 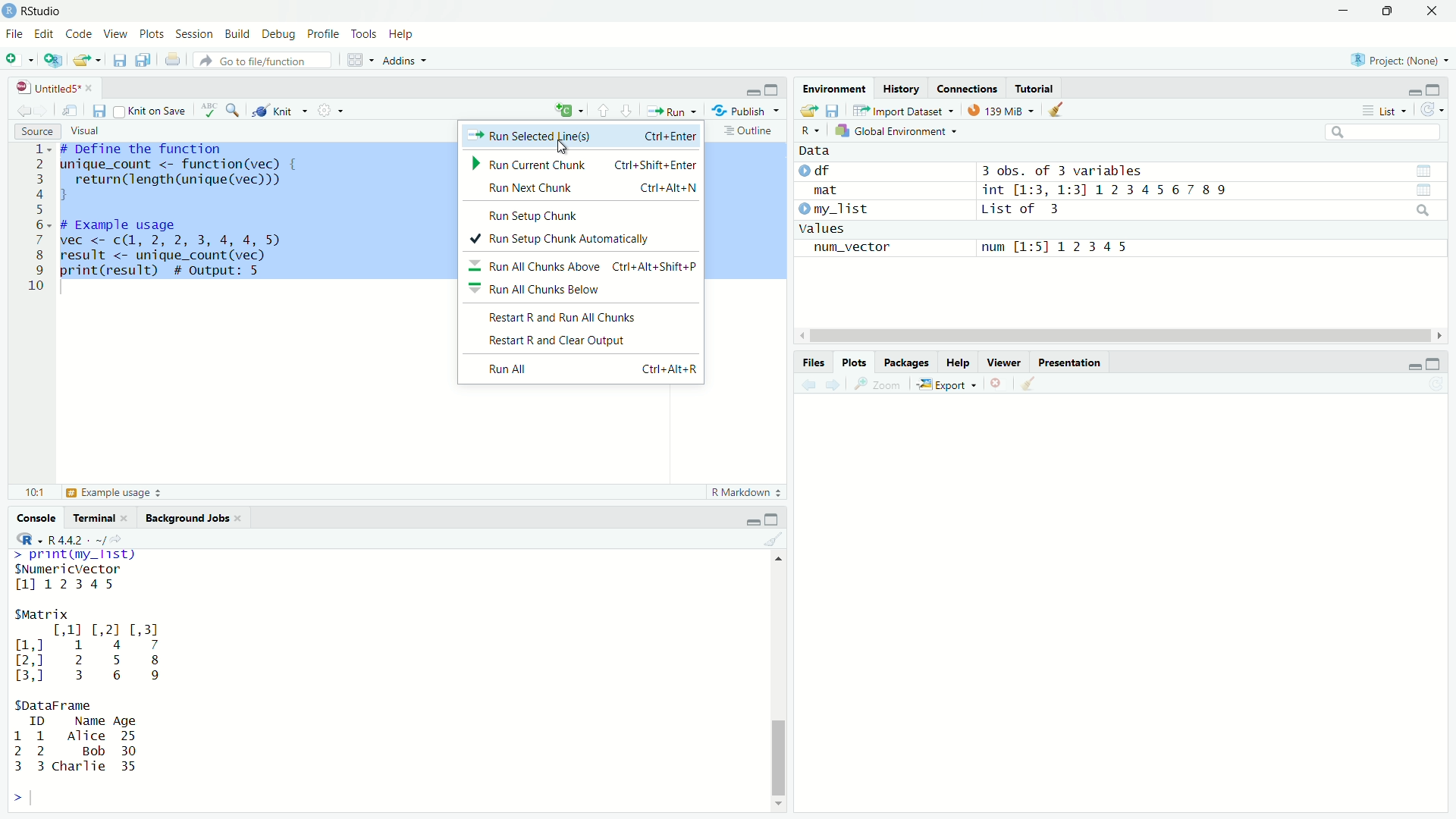 What do you see at coordinates (967, 88) in the screenshot?
I see `connections` at bounding box center [967, 88].